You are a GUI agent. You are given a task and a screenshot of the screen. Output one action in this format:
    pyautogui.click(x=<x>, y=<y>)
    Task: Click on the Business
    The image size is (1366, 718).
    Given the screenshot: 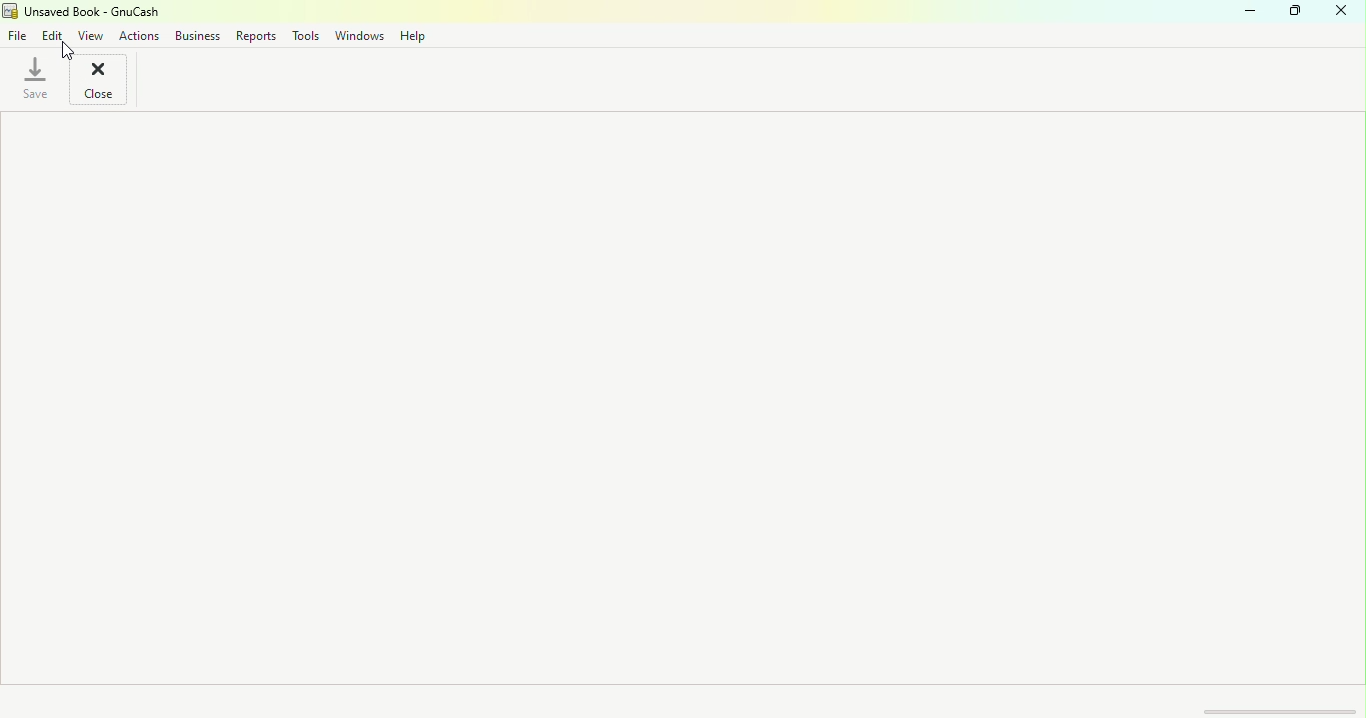 What is the action you would take?
    pyautogui.click(x=196, y=35)
    